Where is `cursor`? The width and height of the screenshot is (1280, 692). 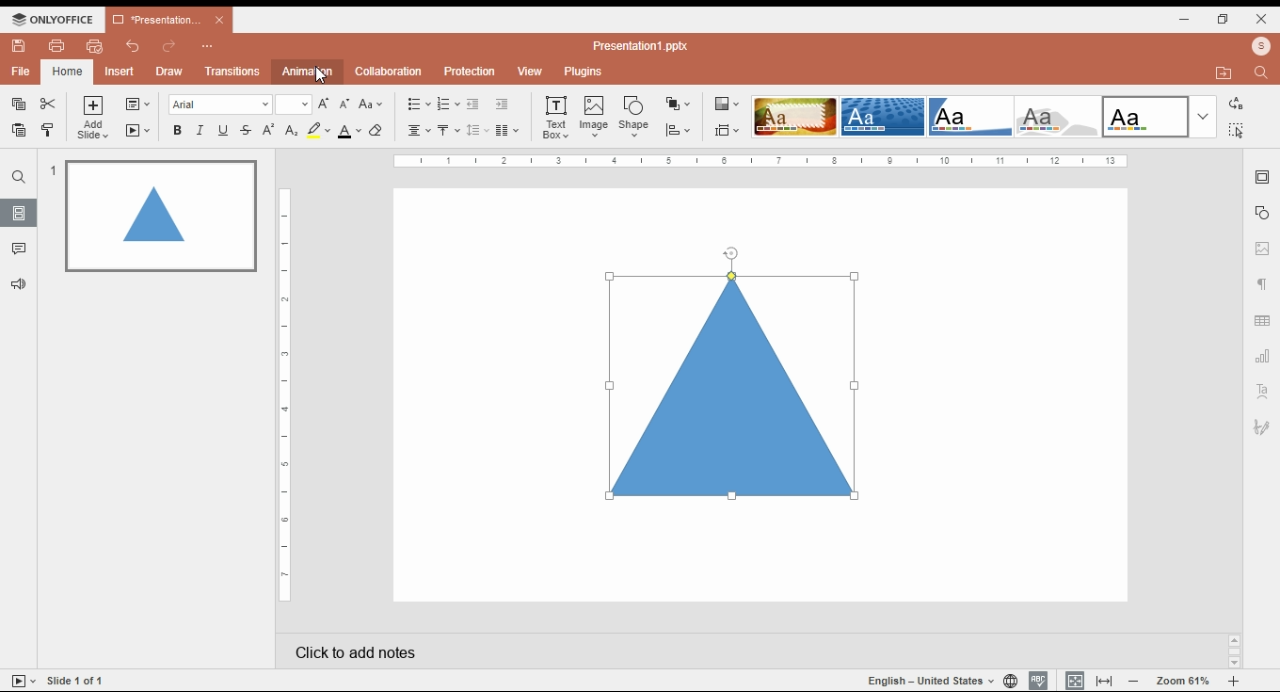
cursor is located at coordinates (322, 78).